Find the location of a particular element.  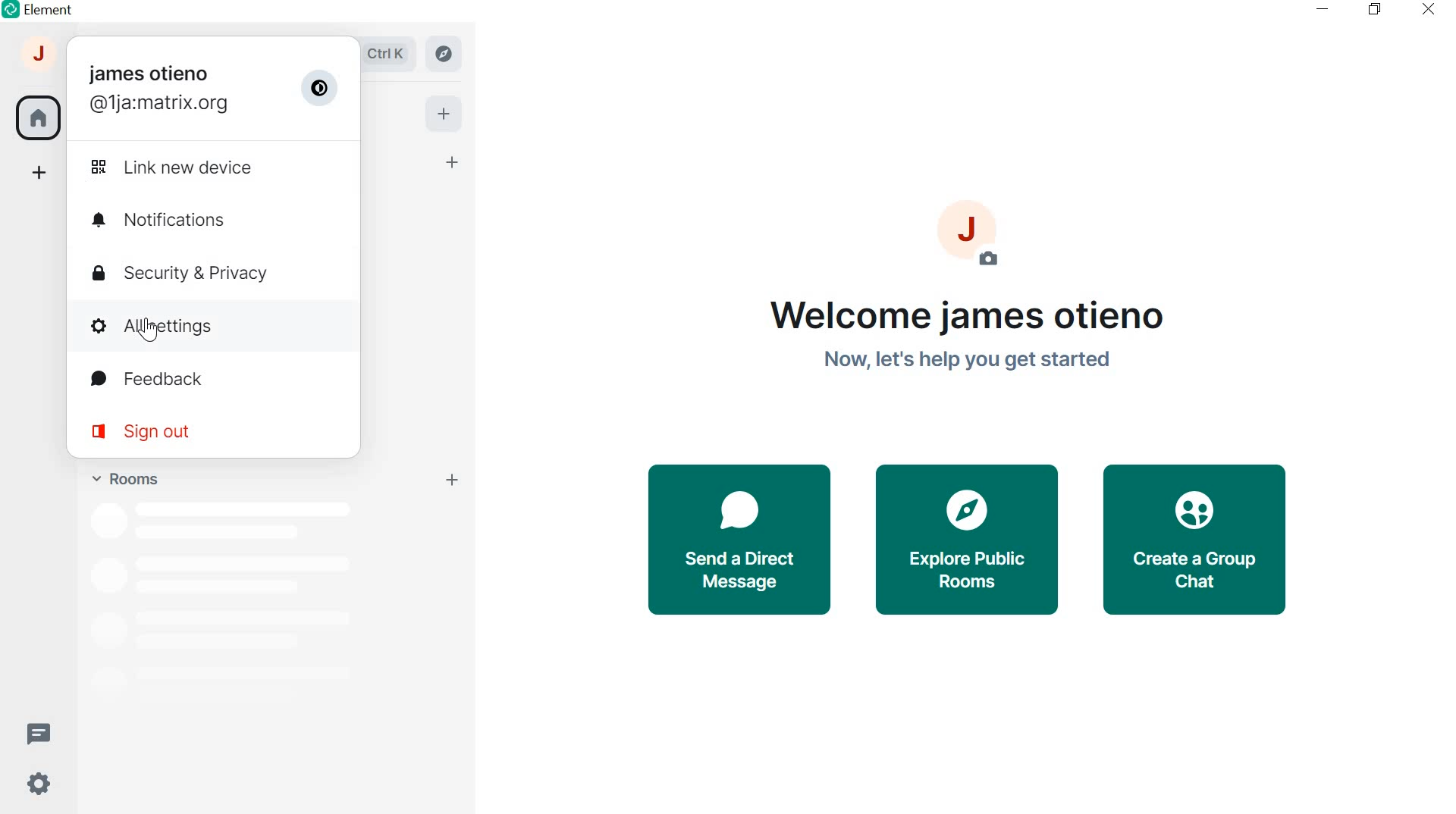

SWITCH TO DARK MODE is located at coordinates (322, 89).